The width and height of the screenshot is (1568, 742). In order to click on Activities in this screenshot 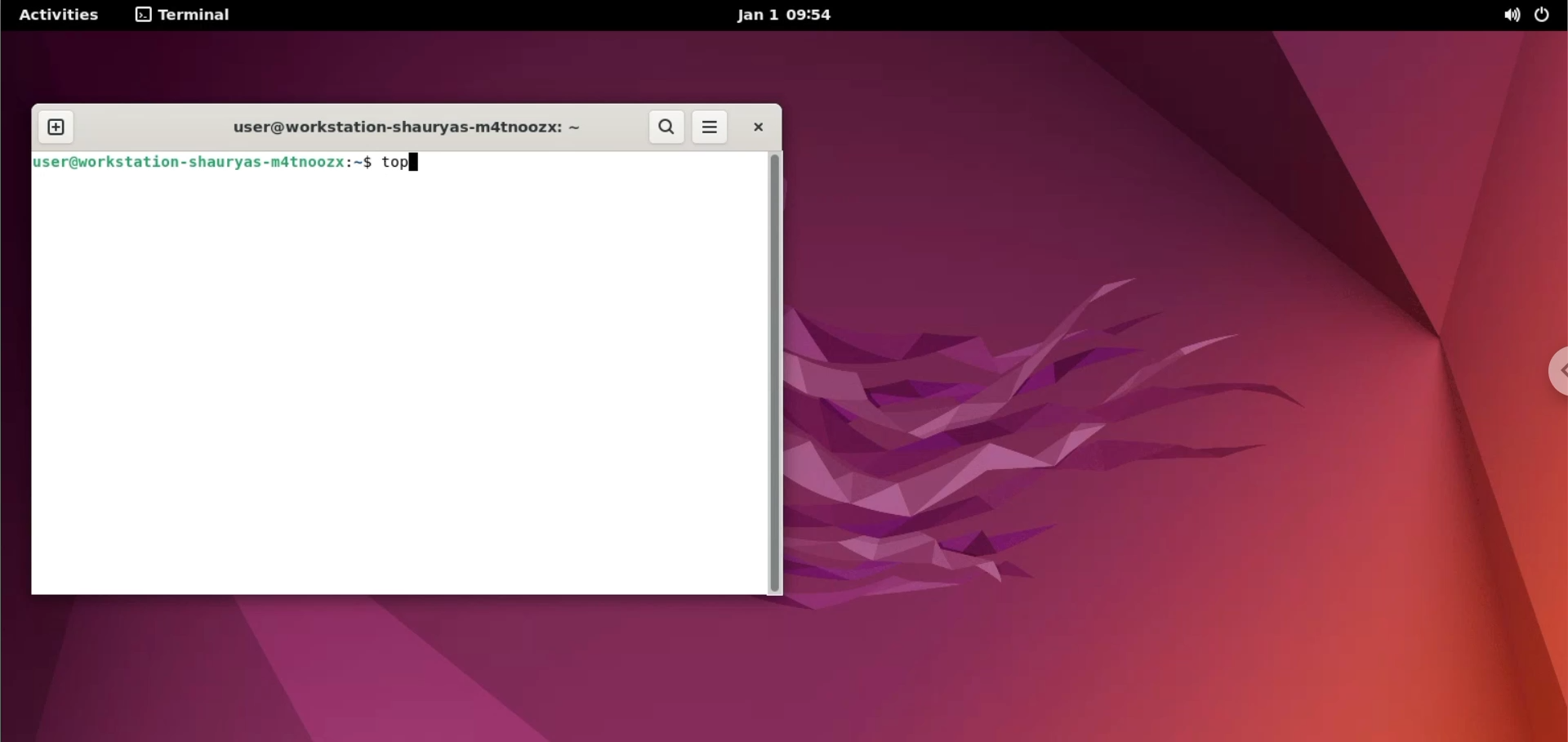, I will do `click(57, 16)`.